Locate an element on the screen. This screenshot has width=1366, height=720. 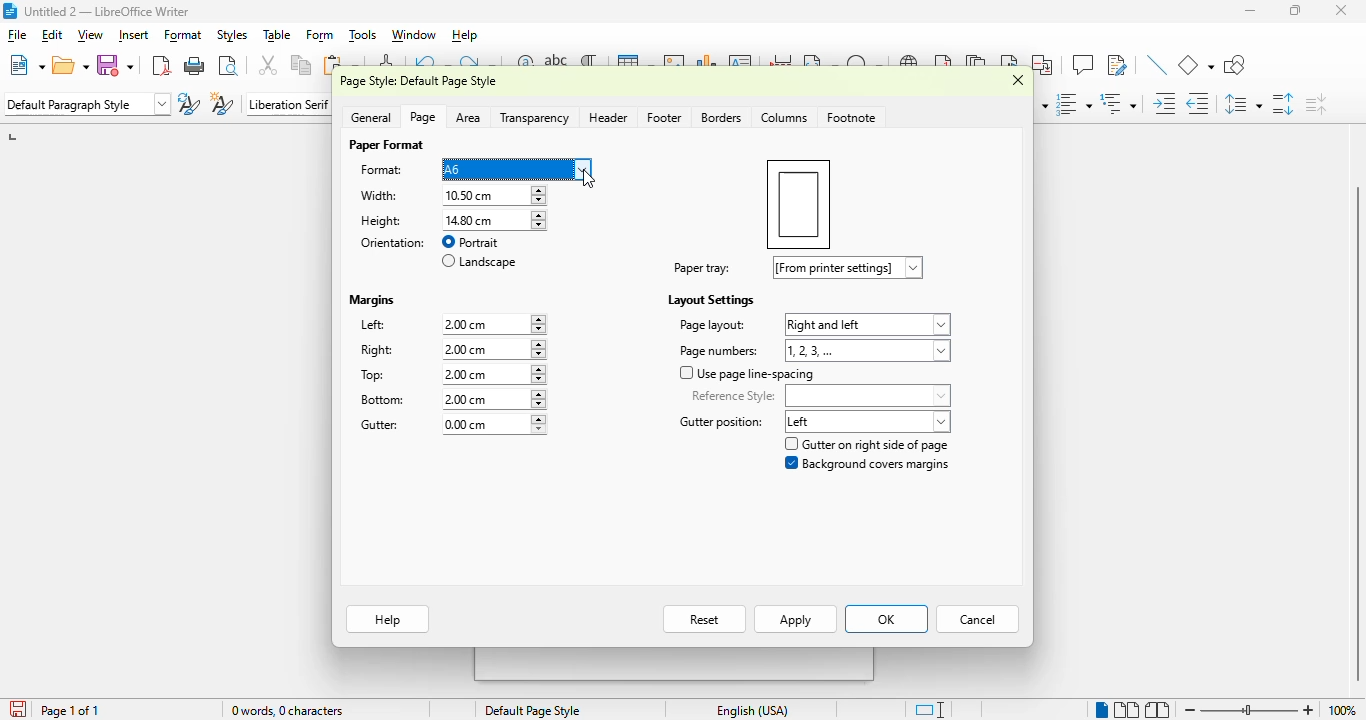
page style is located at coordinates (531, 710).